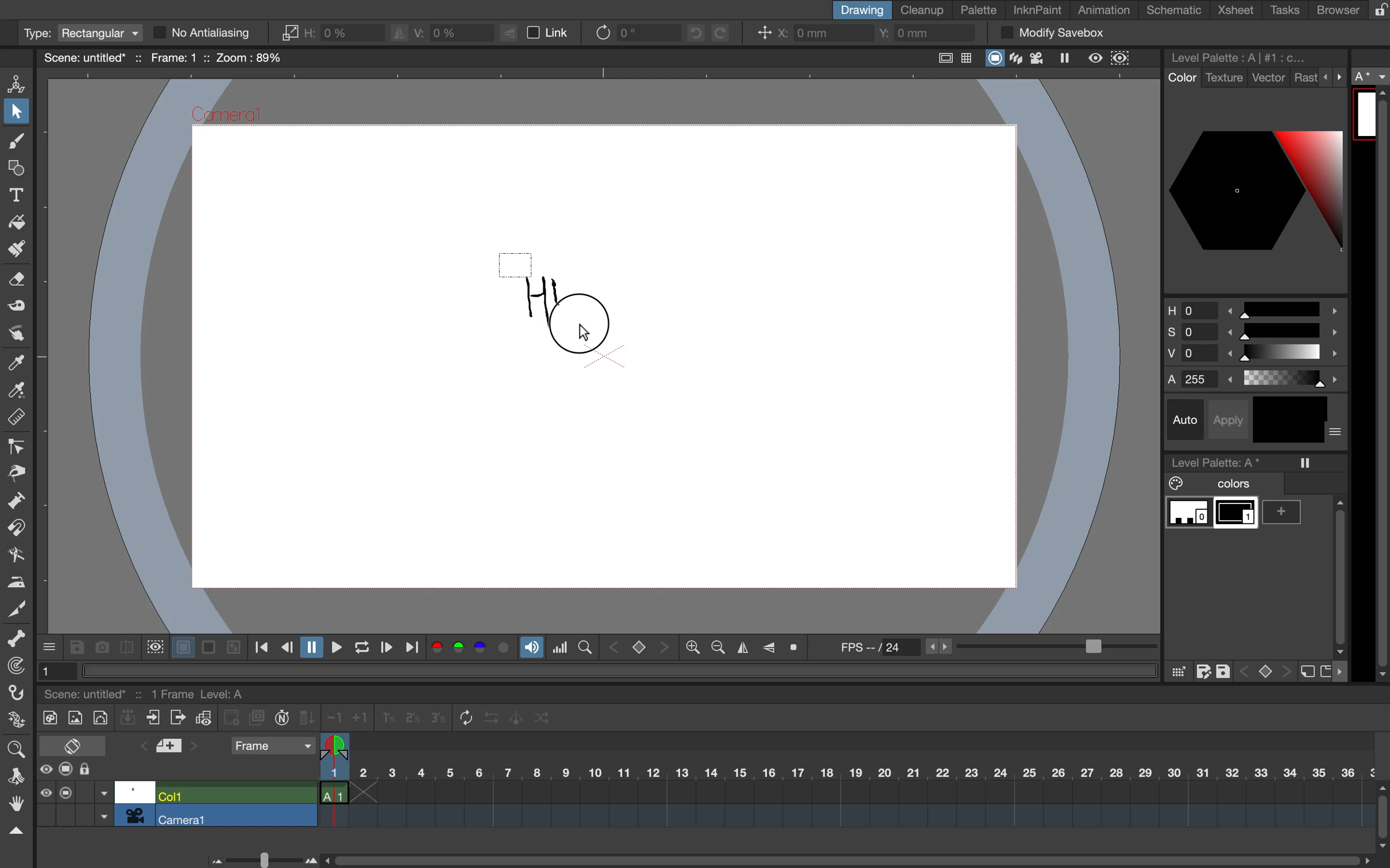  Describe the element at coordinates (237, 816) in the screenshot. I see `camera 1` at that location.